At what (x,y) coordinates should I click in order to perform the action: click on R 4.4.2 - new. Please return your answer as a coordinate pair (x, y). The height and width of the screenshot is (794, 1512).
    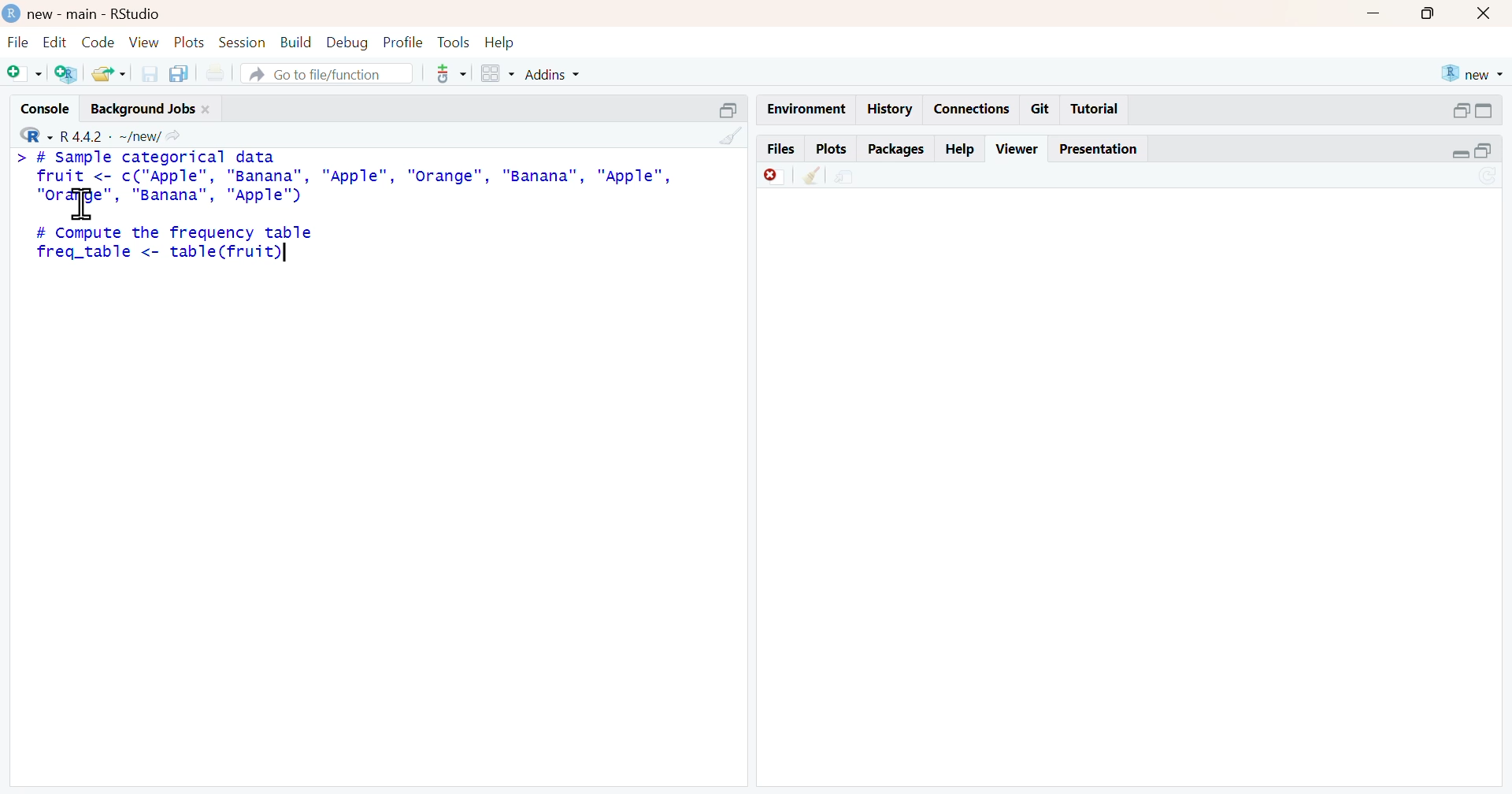
    Looking at the image, I should click on (84, 135).